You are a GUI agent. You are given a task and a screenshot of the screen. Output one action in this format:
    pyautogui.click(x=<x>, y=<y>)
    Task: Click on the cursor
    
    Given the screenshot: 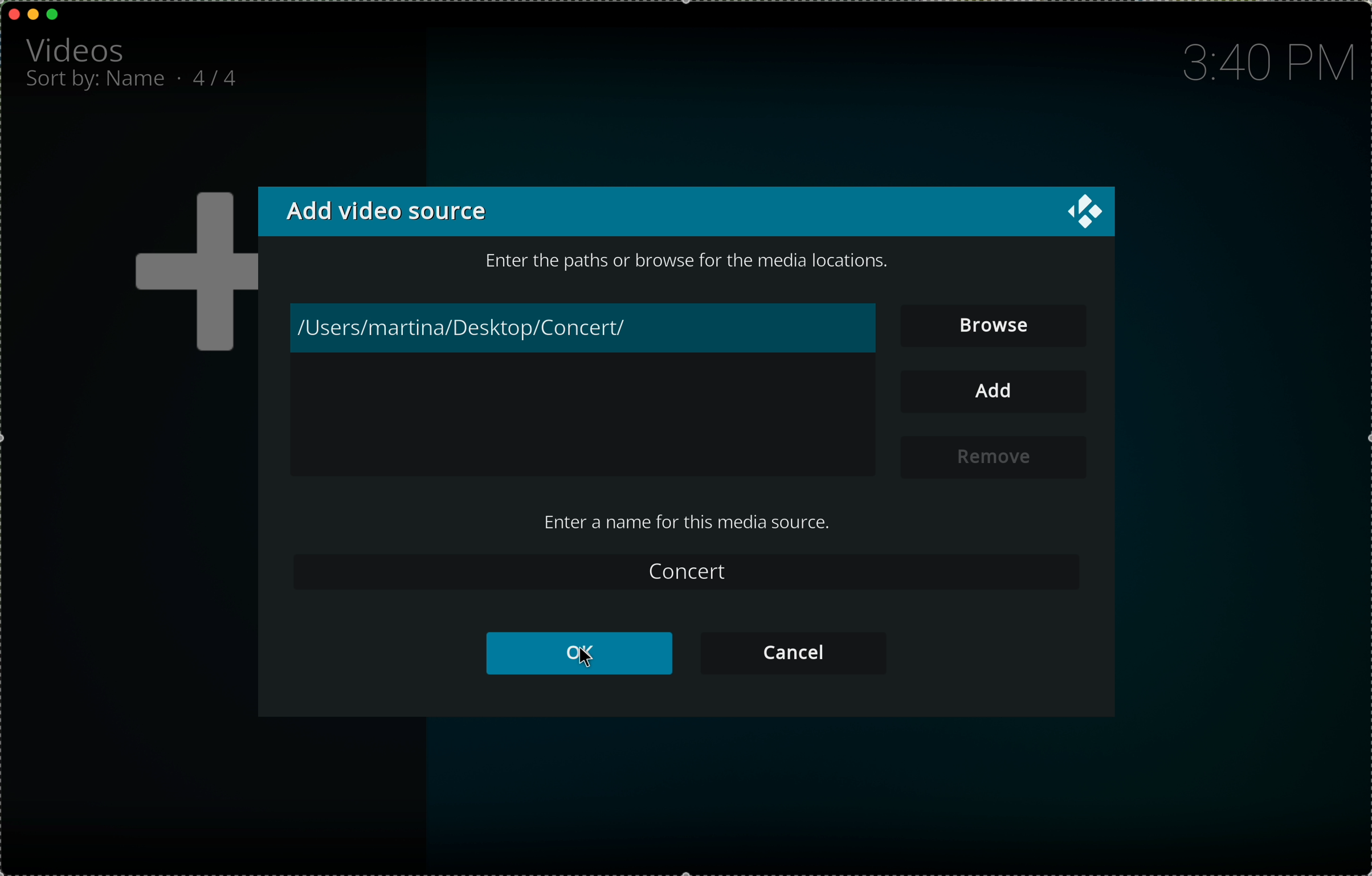 What is the action you would take?
    pyautogui.click(x=579, y=661)
    